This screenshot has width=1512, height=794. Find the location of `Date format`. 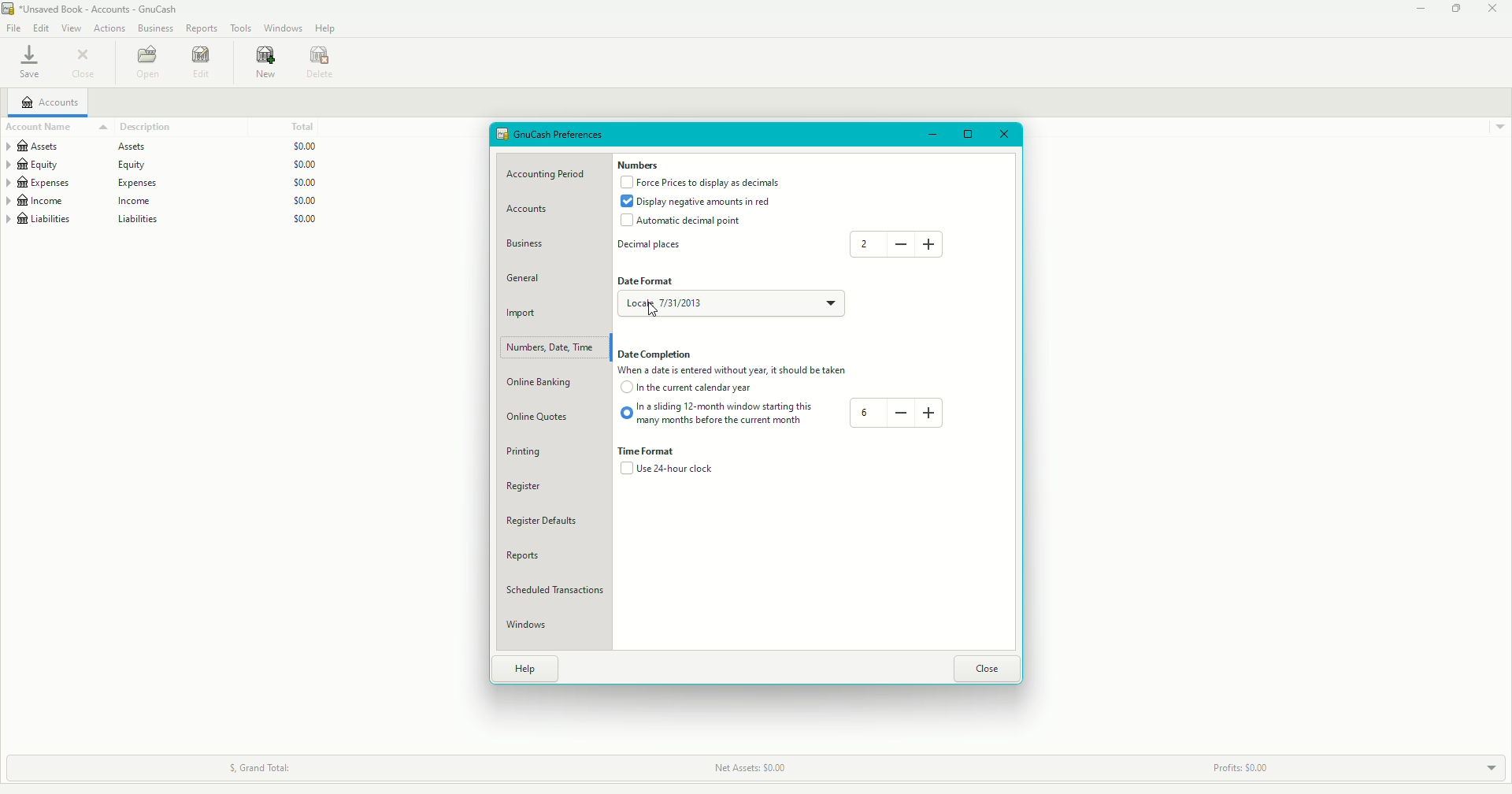

Date format is located at coordinates (645, 281).